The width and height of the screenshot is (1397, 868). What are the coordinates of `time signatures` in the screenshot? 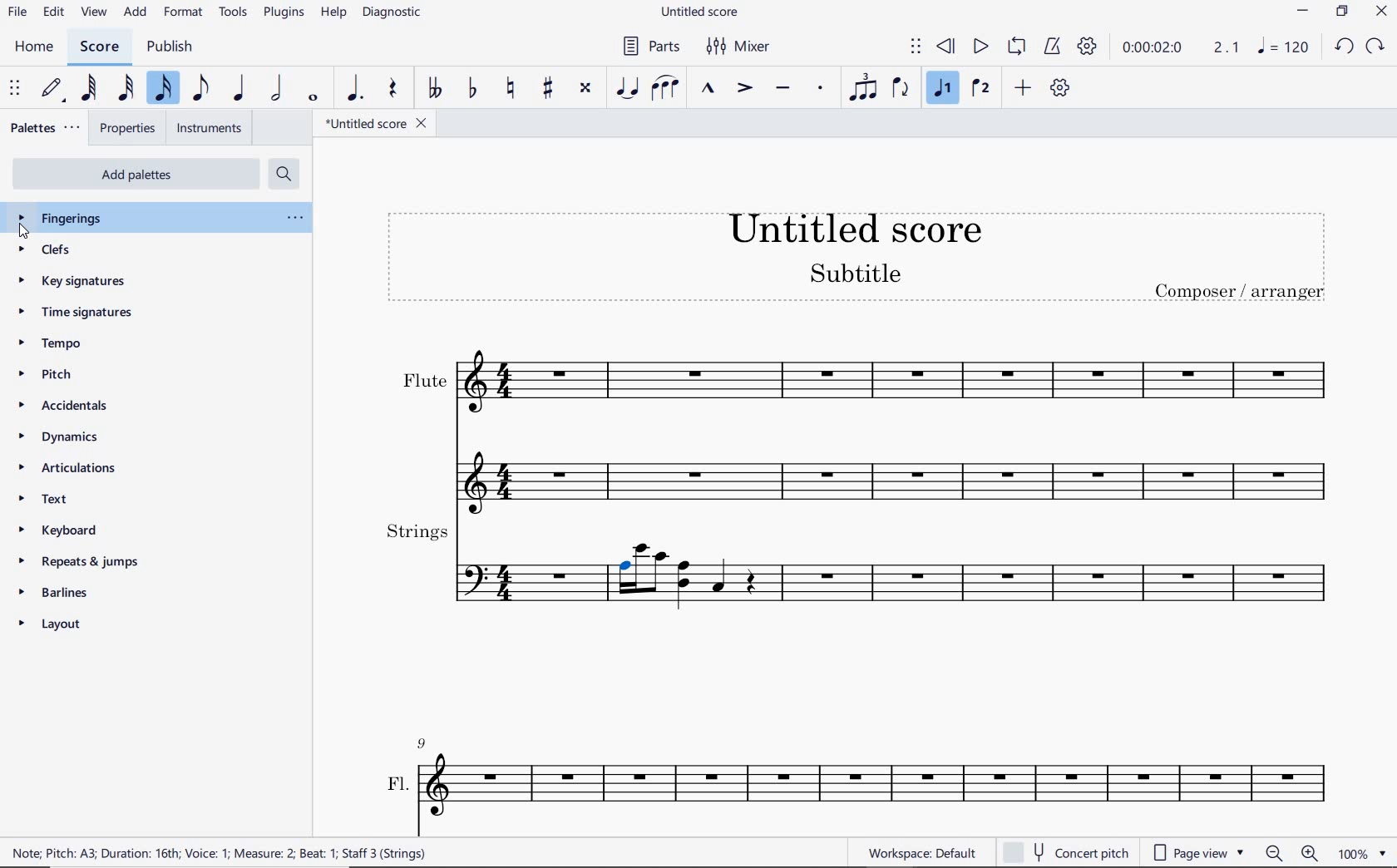 It's located at (80, 313).